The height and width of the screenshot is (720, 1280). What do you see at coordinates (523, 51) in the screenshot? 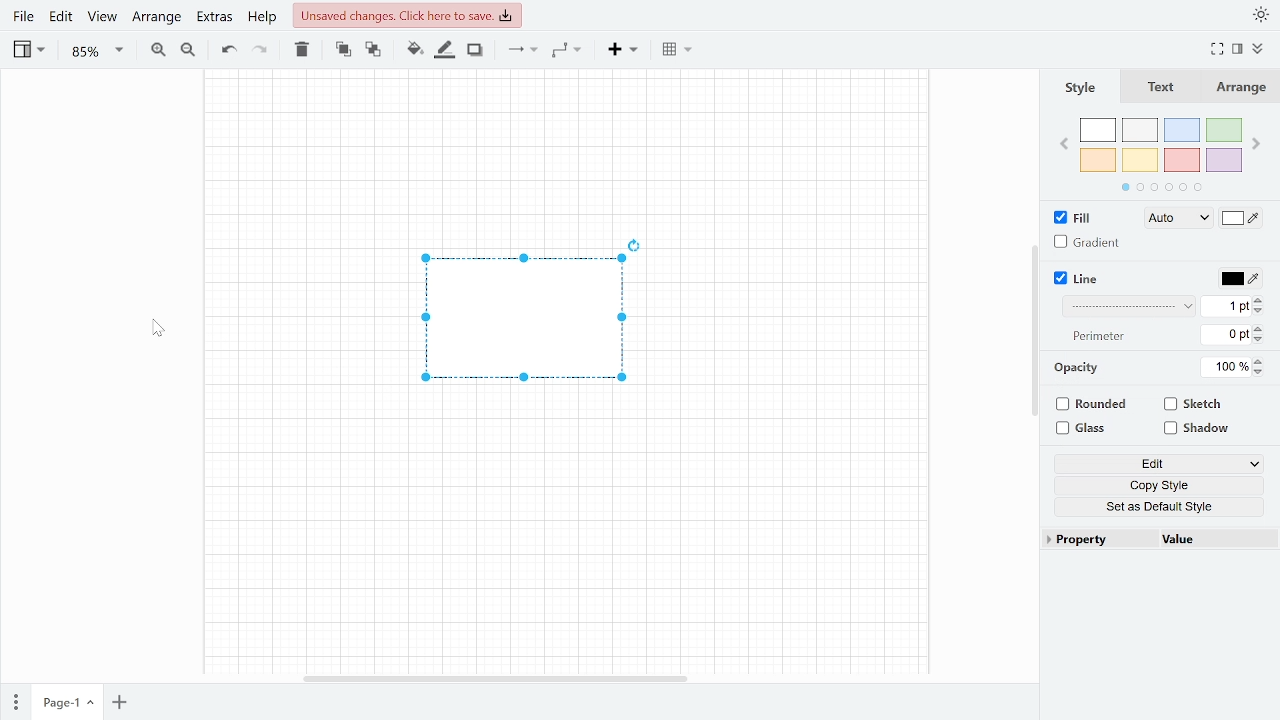
I see `Connections` at bounding box center [523, 51].